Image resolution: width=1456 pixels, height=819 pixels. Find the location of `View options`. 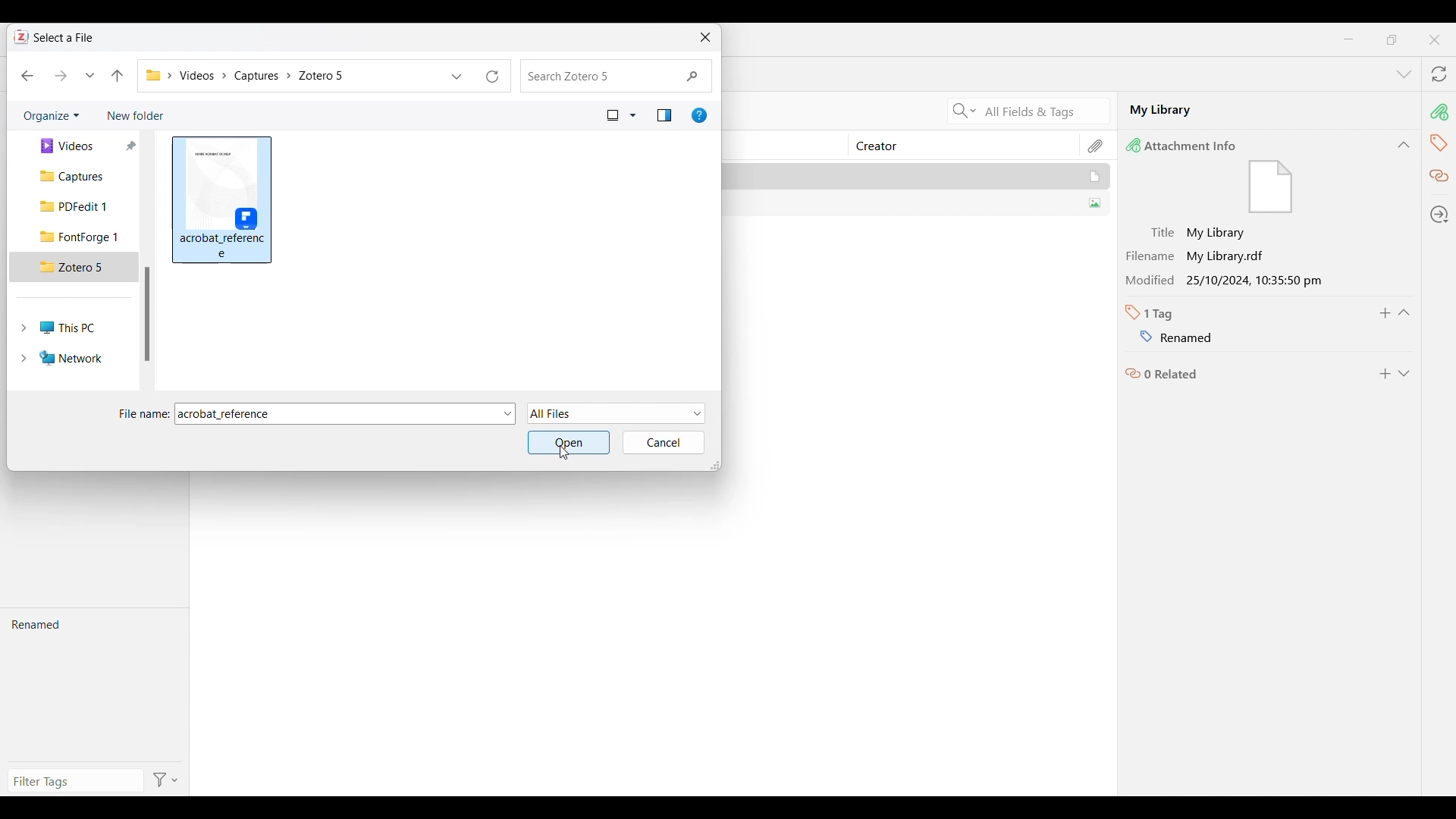

View options is located at coordinates (632, 115).